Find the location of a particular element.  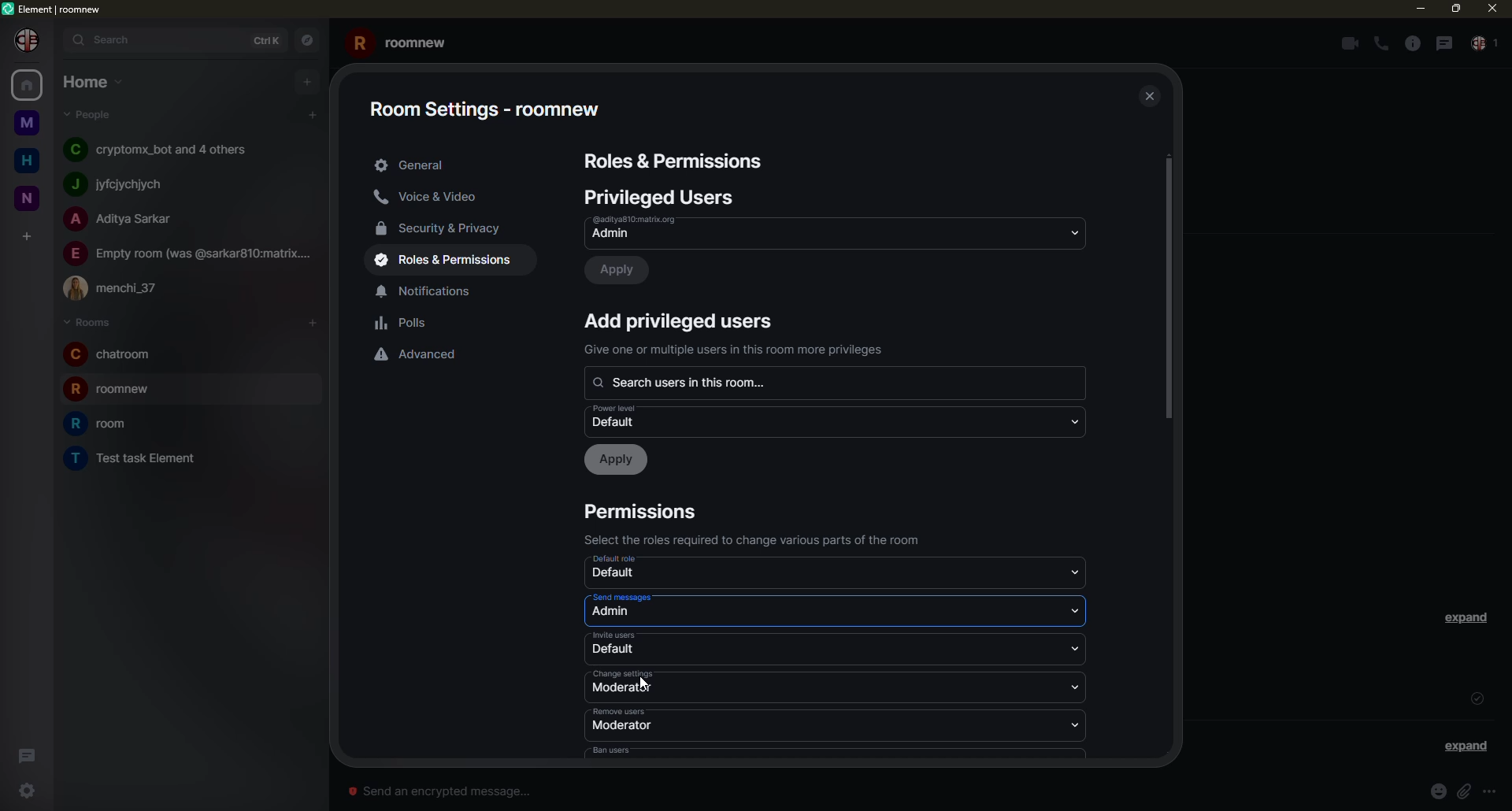

notifications is located at coordinates (433, 291).